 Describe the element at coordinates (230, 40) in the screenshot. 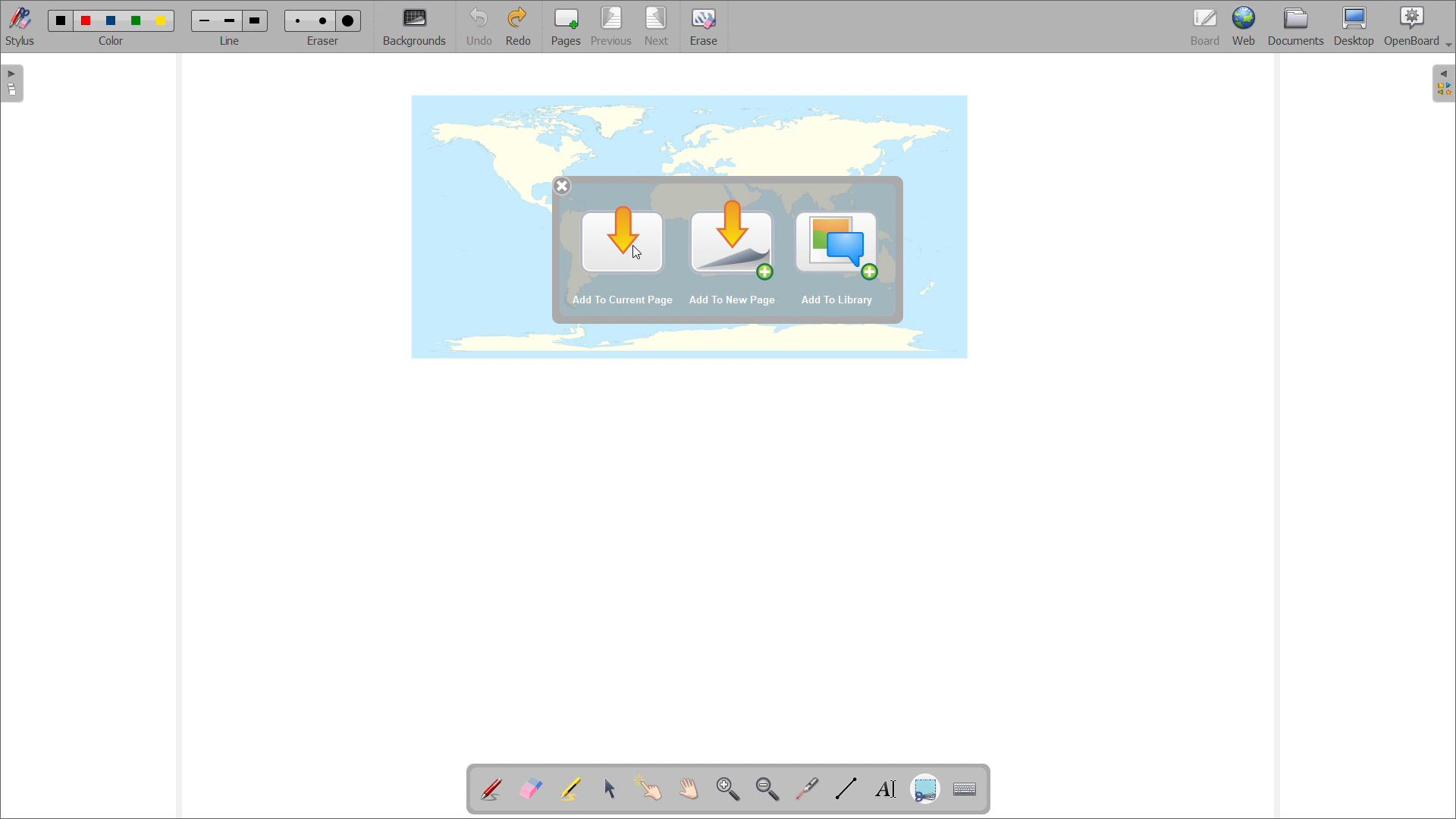

I see `line` at that location.